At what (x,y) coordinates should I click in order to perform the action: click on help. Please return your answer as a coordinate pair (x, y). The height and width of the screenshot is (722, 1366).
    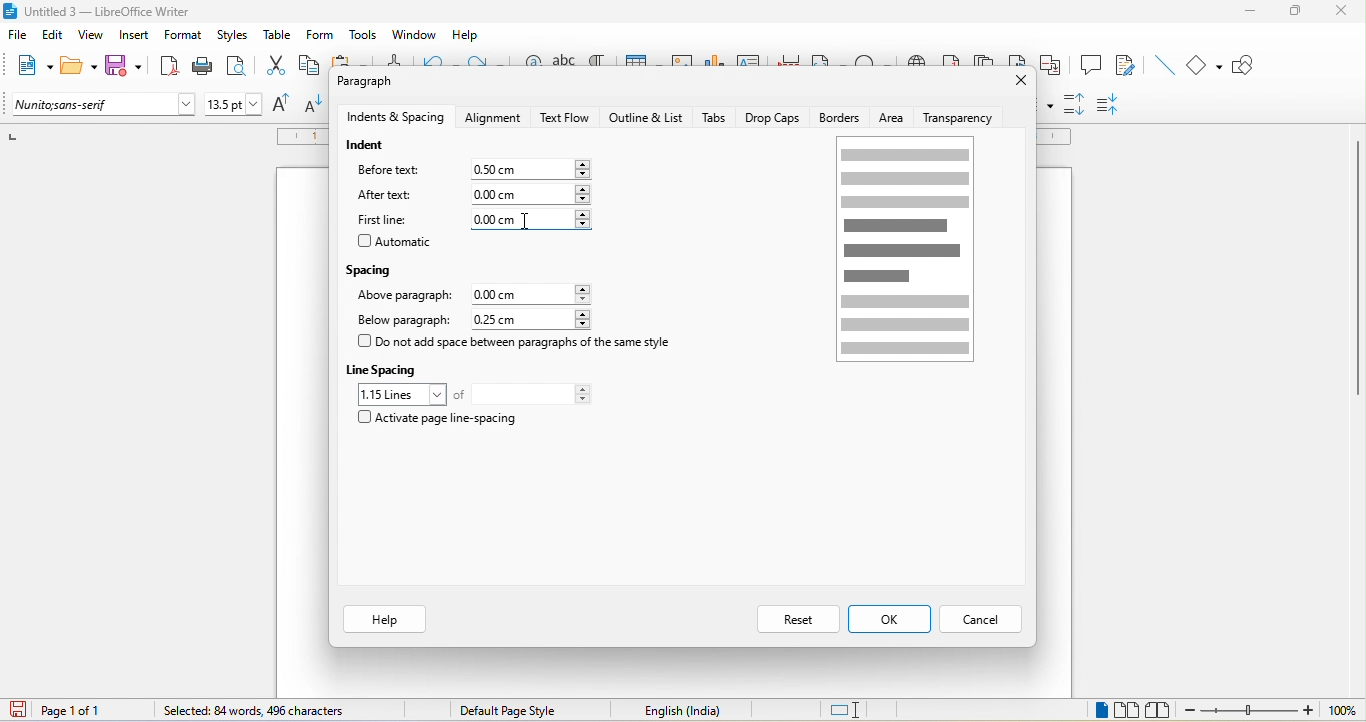
    Looking at the image, I should click on (383, 620).